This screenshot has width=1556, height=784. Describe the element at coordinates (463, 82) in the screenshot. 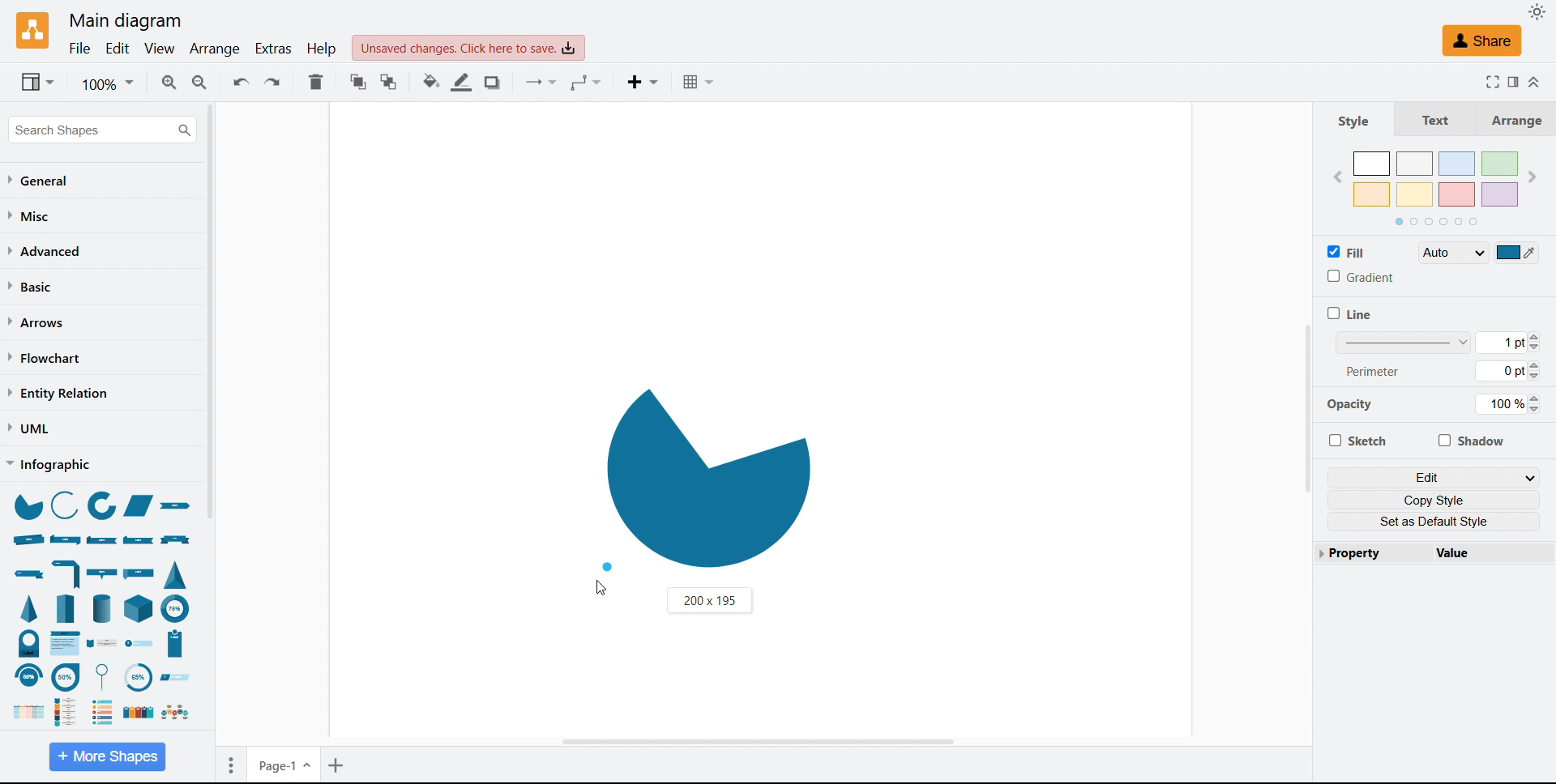

I see `Line colour ` at that location.